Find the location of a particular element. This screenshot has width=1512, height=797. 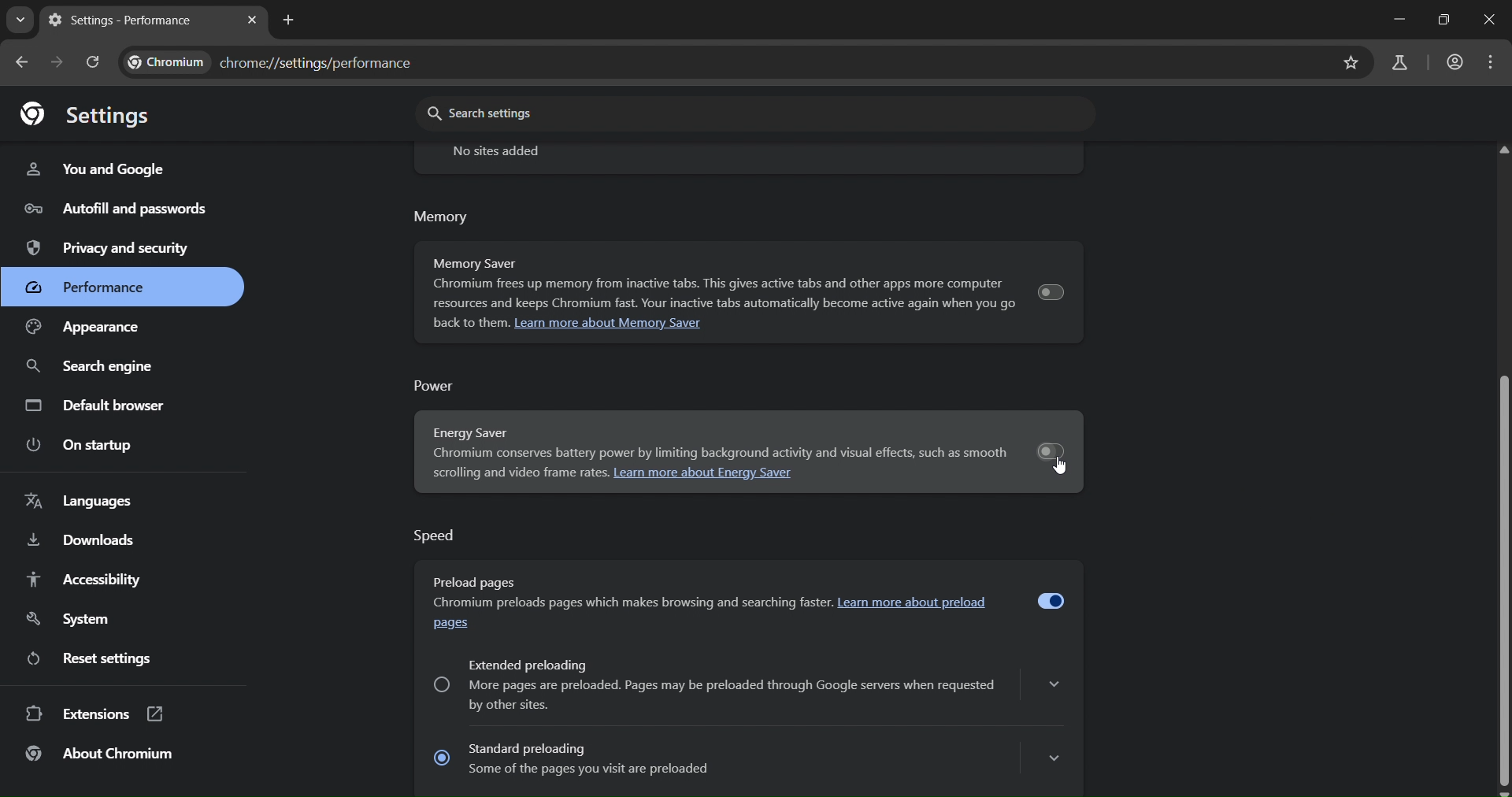

show more is located at coordinates (1057, 683).